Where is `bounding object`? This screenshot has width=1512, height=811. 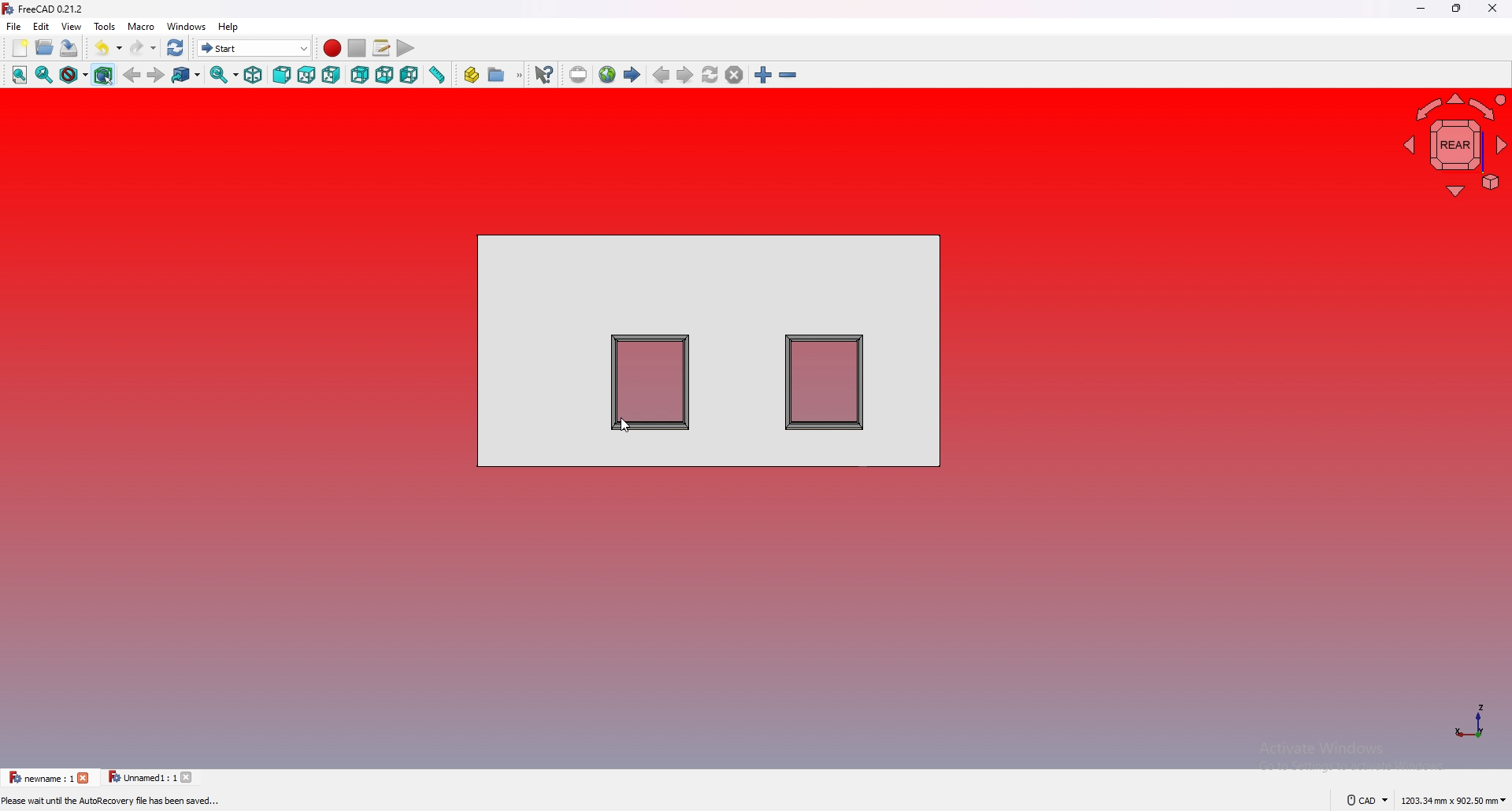 bounding object is located at coordinates (103, 75).